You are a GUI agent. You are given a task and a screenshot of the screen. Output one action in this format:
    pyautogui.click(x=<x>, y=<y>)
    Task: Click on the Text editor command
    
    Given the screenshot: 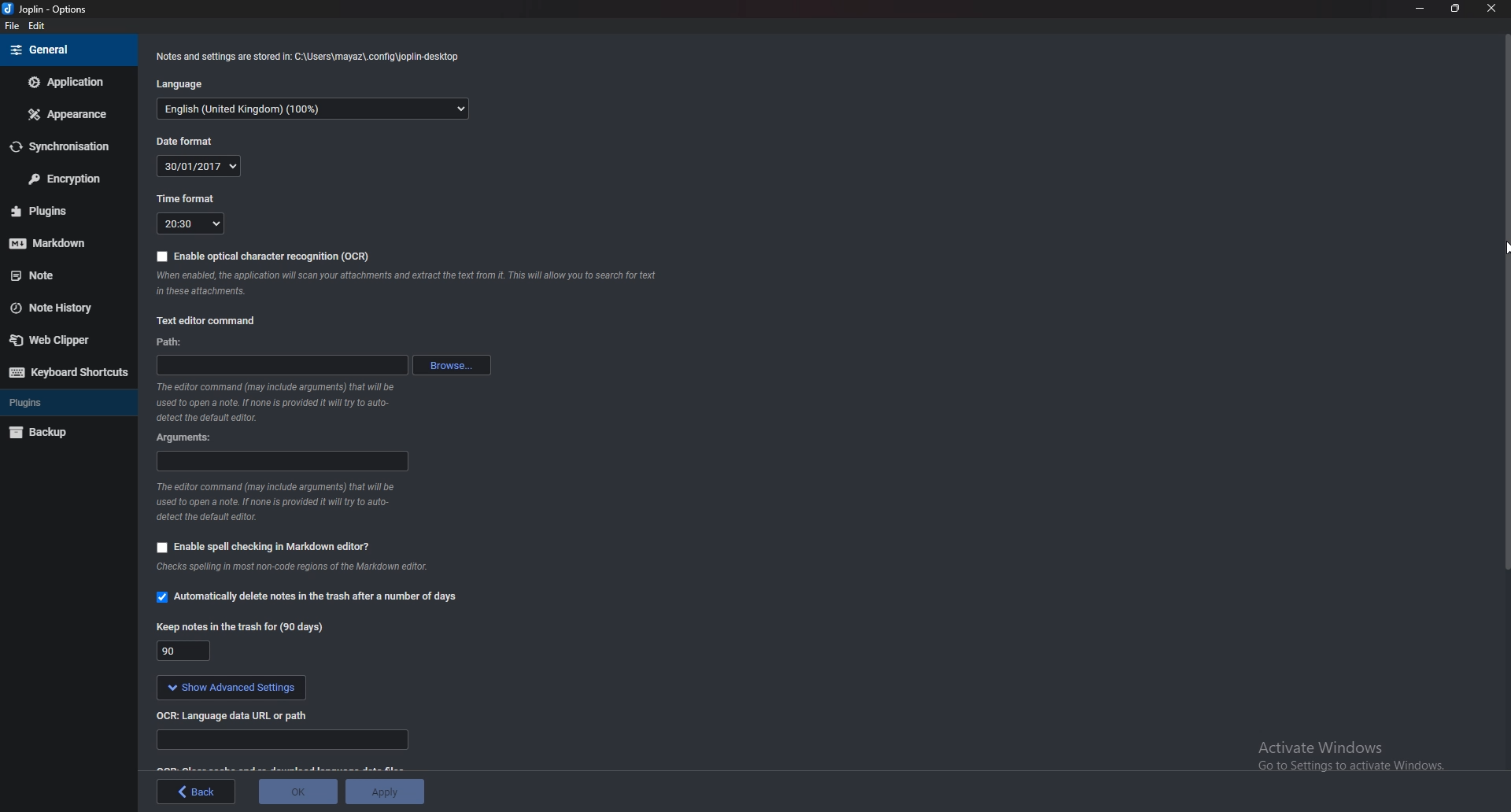 What is the action you would take?
    pyautogui.click(x=217, y=319)
    